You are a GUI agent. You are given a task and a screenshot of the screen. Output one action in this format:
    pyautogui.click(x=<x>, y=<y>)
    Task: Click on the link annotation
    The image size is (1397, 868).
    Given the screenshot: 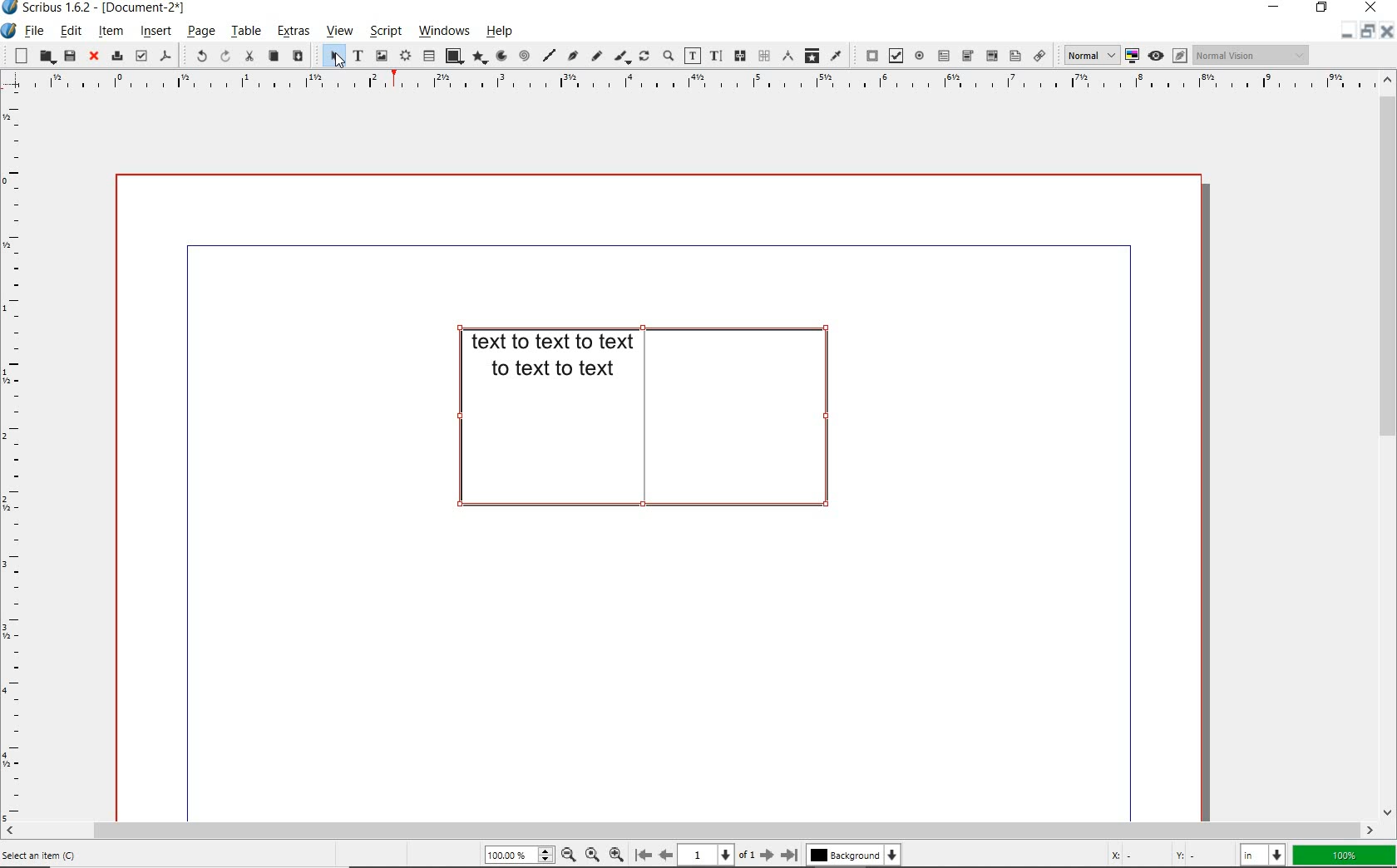 What is the action you would take?
    pyautogui.click(x=1038, y=55)
    